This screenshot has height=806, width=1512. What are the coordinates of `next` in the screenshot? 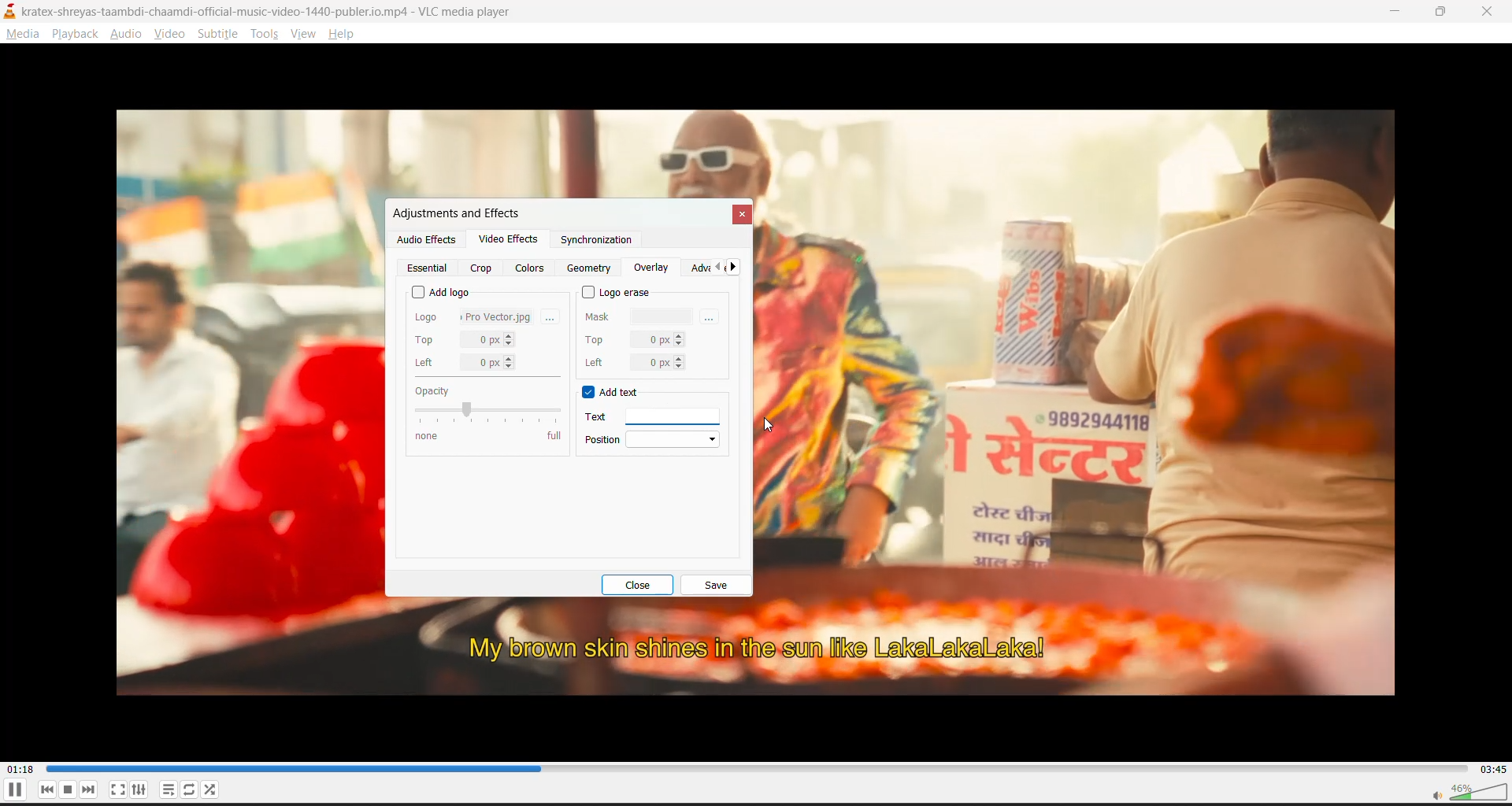 It's located at (93, 789).